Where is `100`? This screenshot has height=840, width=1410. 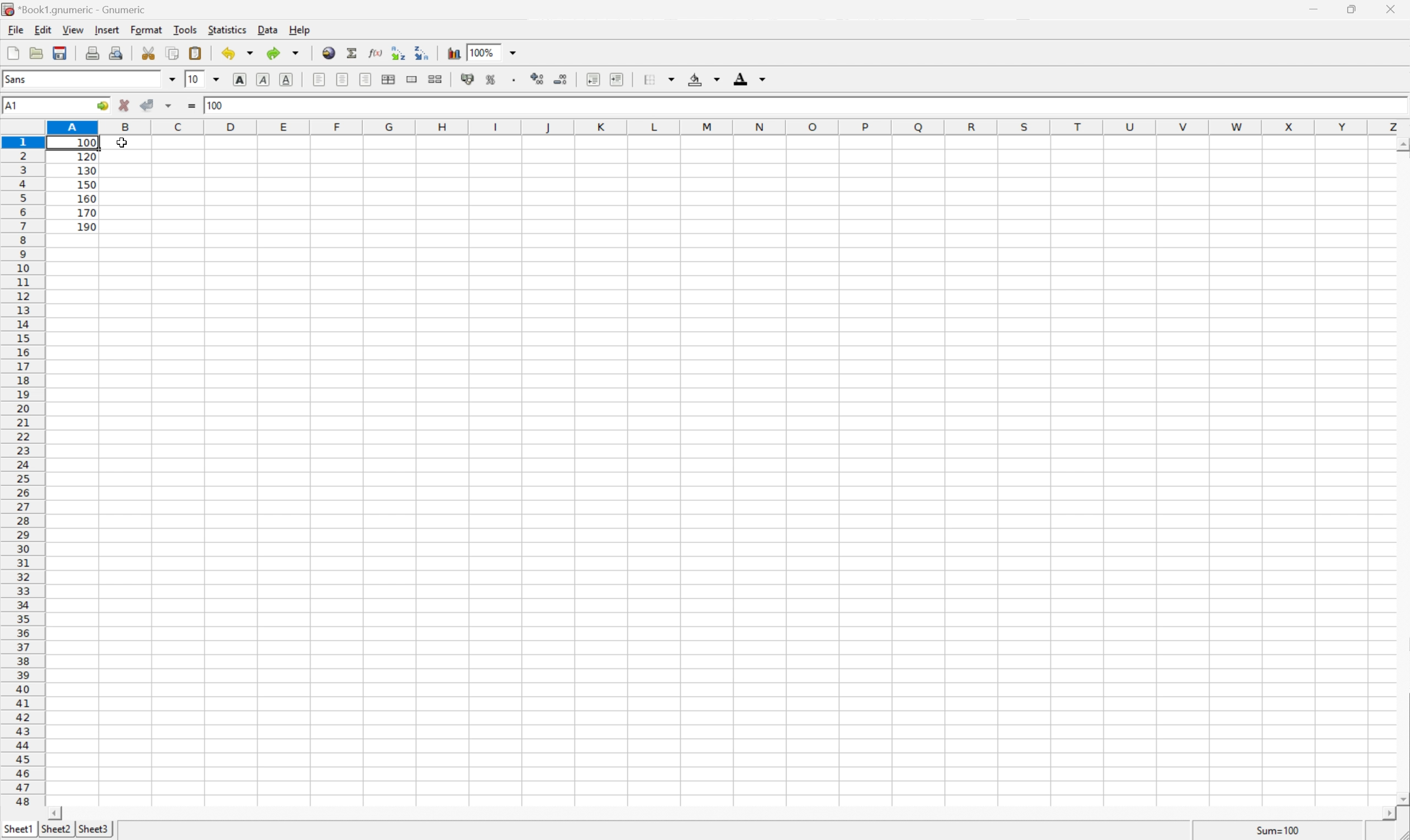 100 is located at coordinates (219, 104).